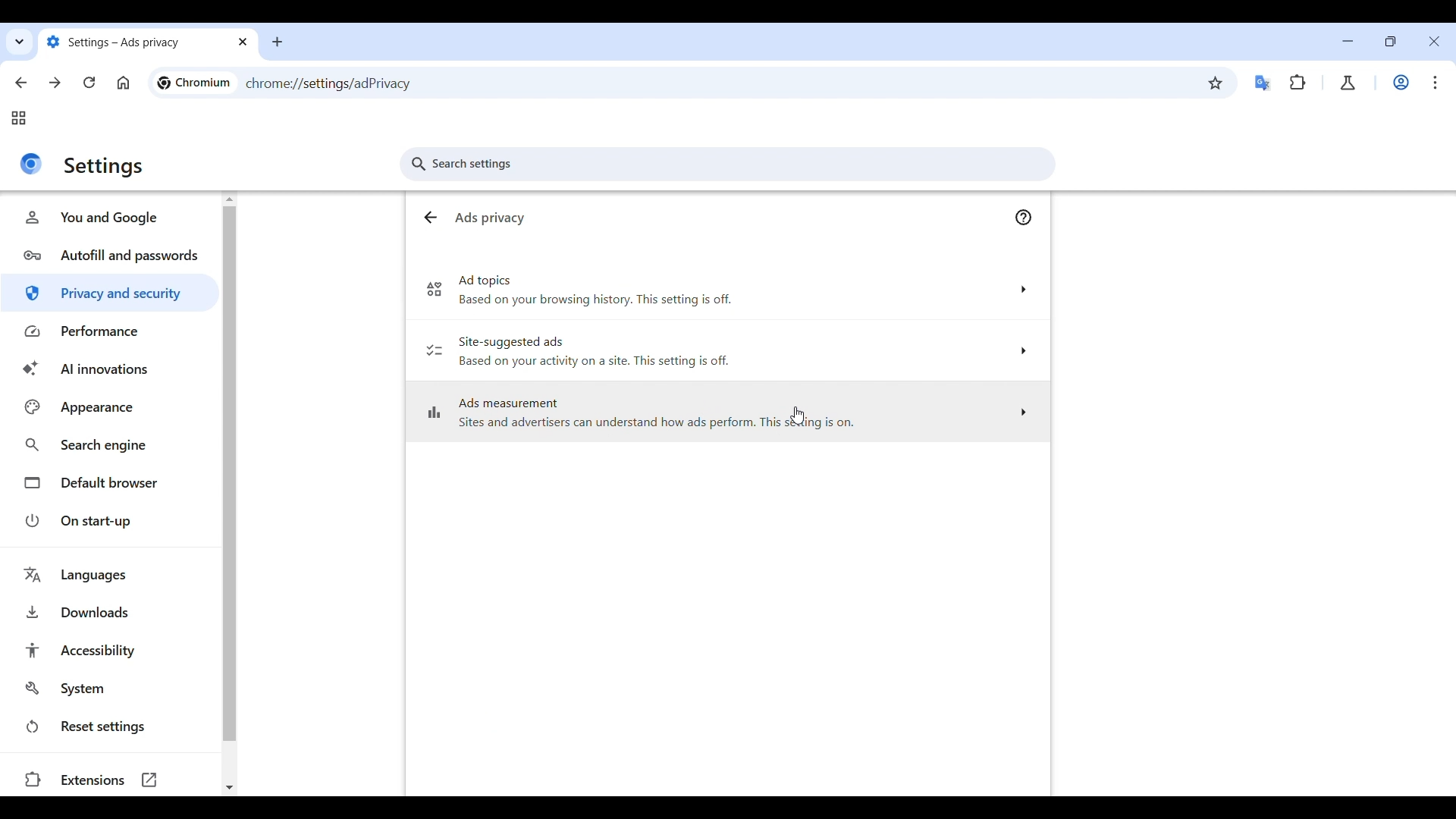  What do you see at coordinates (55, 83) in the screenshot?
I see `Go forward` at bounding box center [55, 83].